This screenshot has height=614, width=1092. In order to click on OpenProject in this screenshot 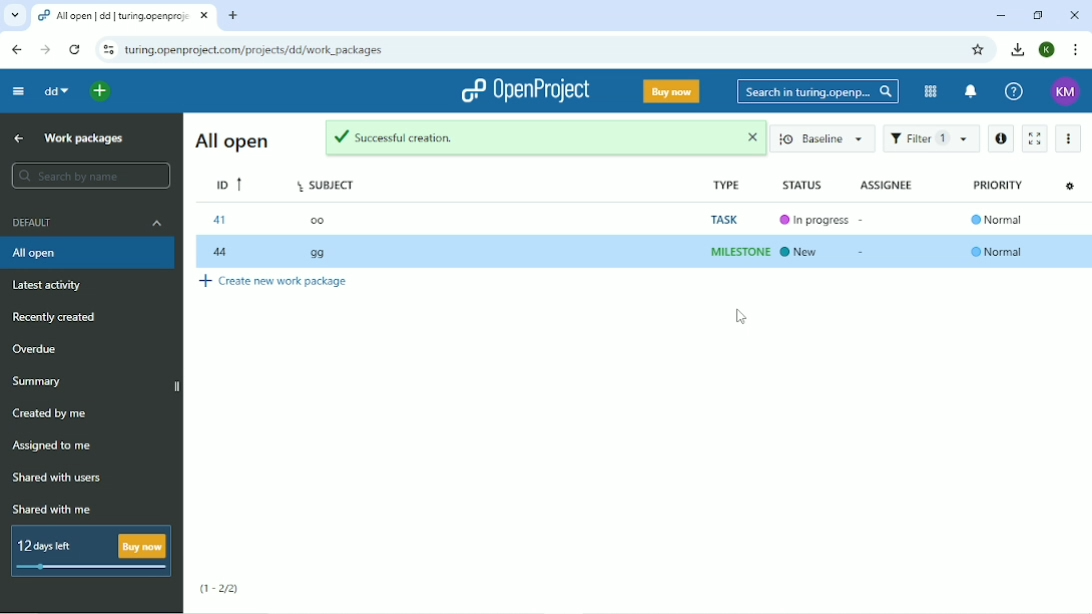, I will do `click(524, 92)`.